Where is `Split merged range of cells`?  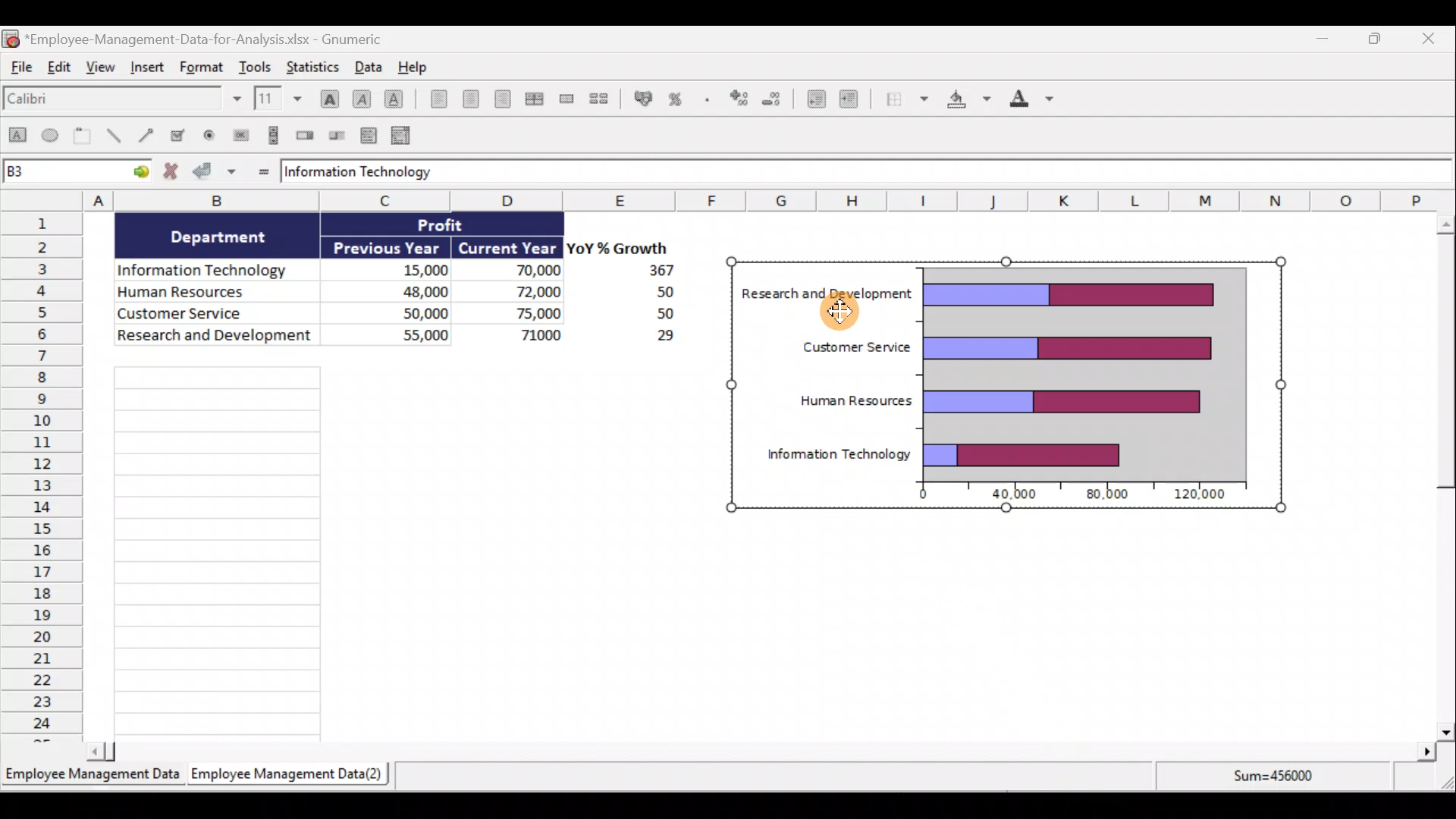 Split merged range of cells is located at coordinates (599, 98).